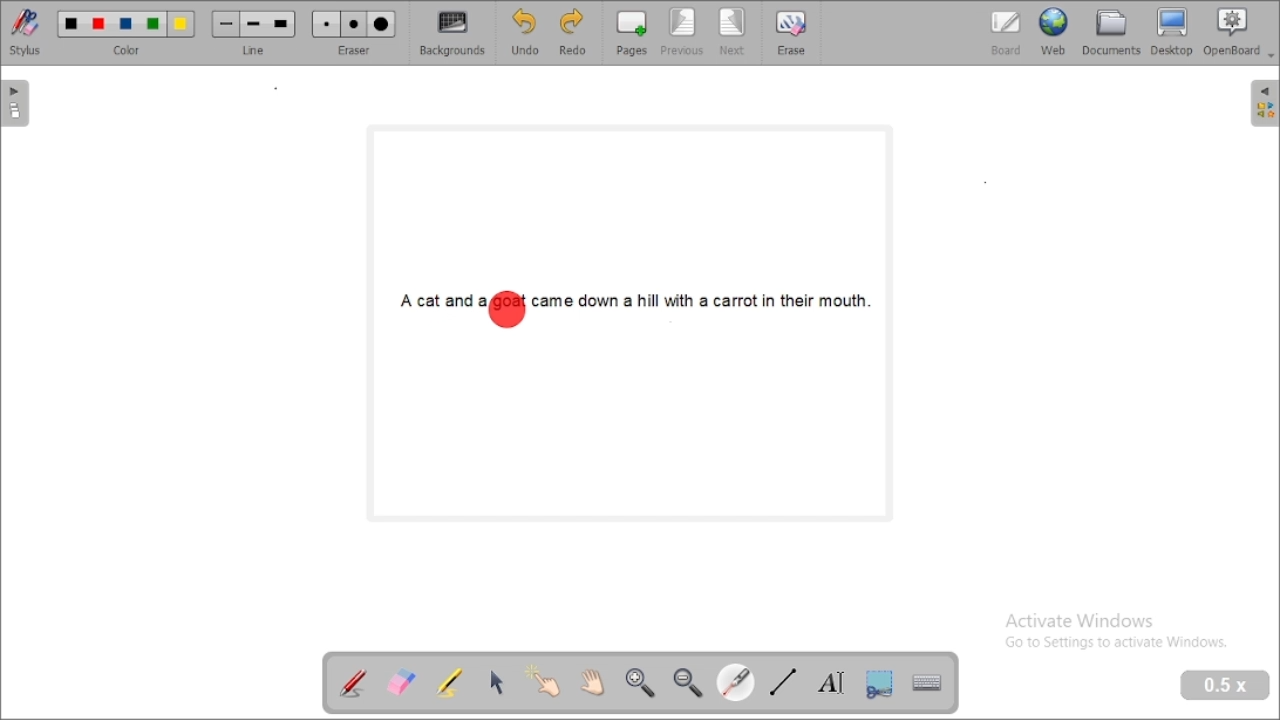 This screenshot has height=720, width=1280. Describe the element at coordinates (353, 33) in the screenshot. I see `eraser` at that location.